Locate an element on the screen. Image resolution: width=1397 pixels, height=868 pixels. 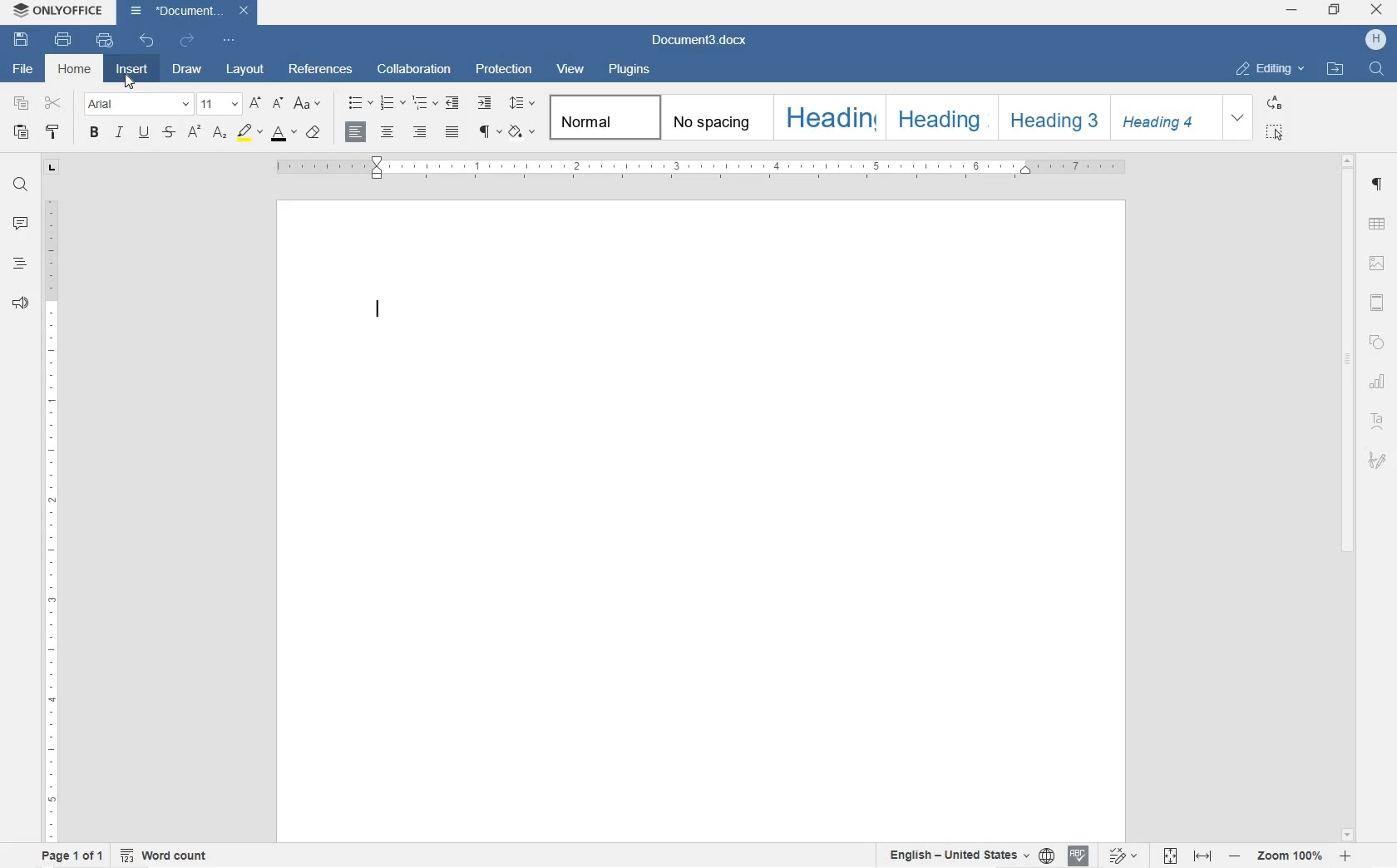
FEEDBACK & SUPPORT is located at coordinates (17, 303).